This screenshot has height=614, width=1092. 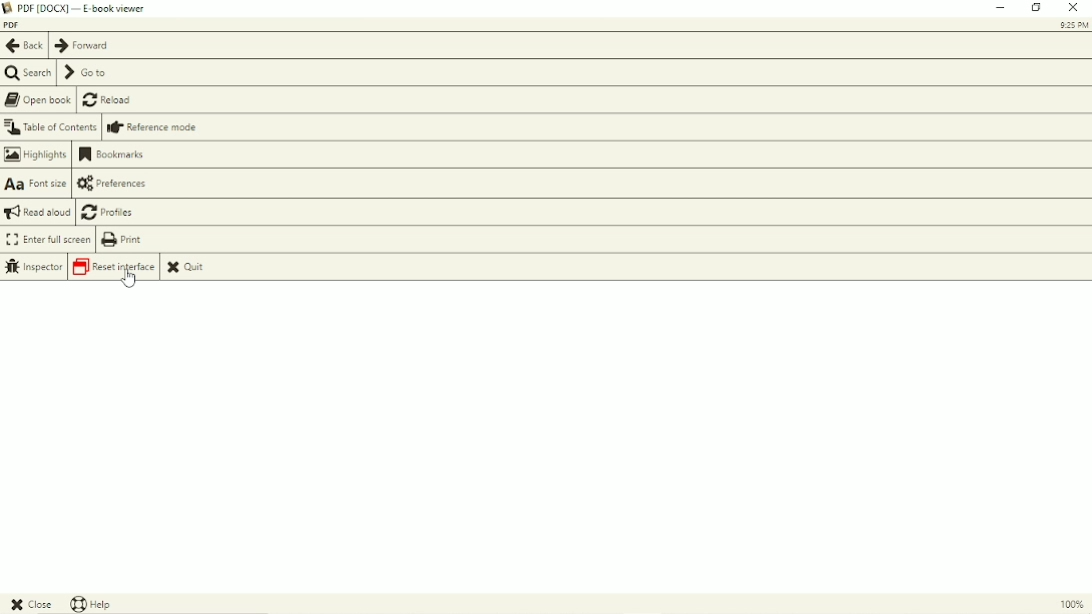 I want to click on Restore down, so click(x=1037, y=8).